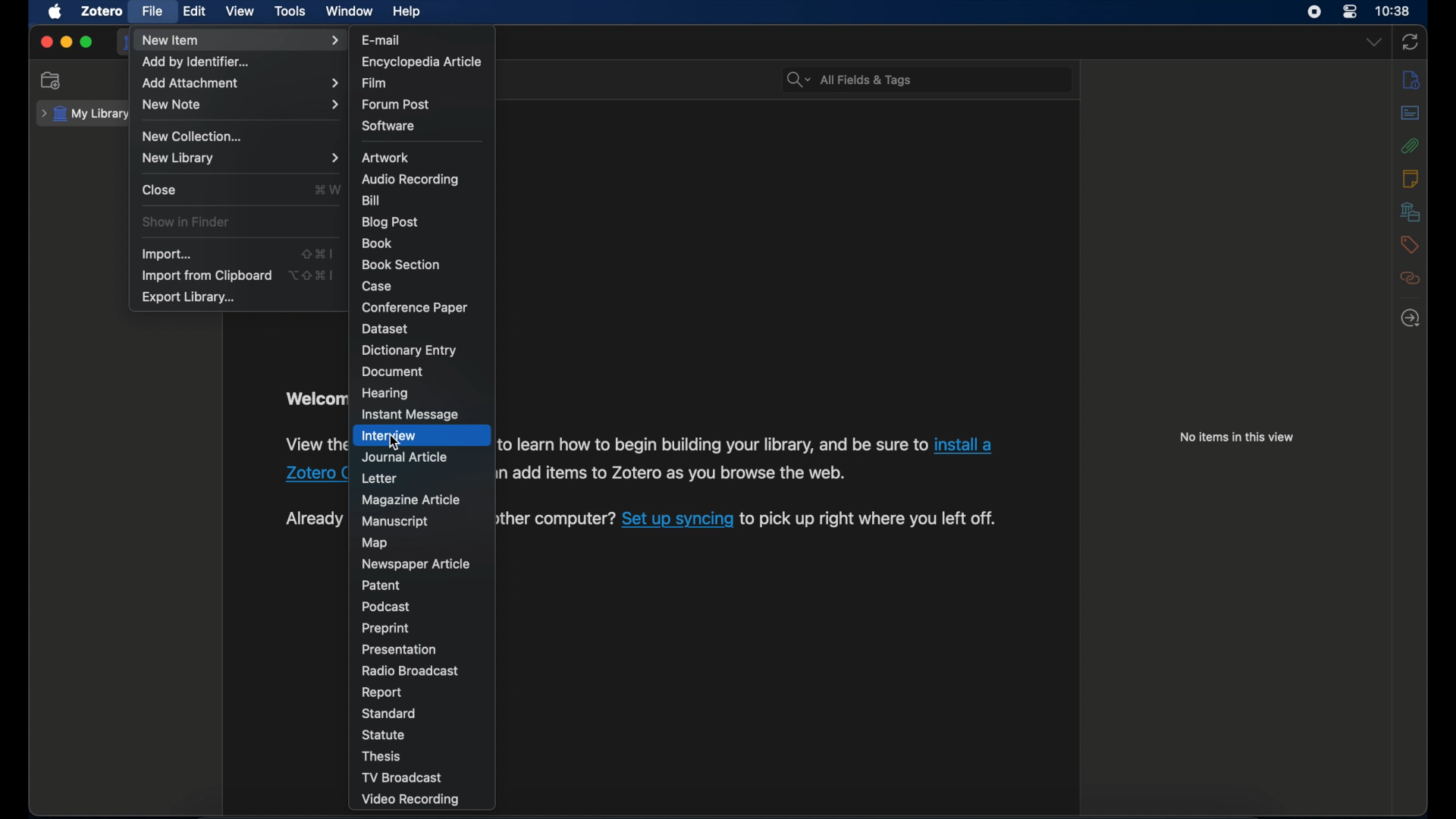  I want to click on maximize, so click(86, 42).